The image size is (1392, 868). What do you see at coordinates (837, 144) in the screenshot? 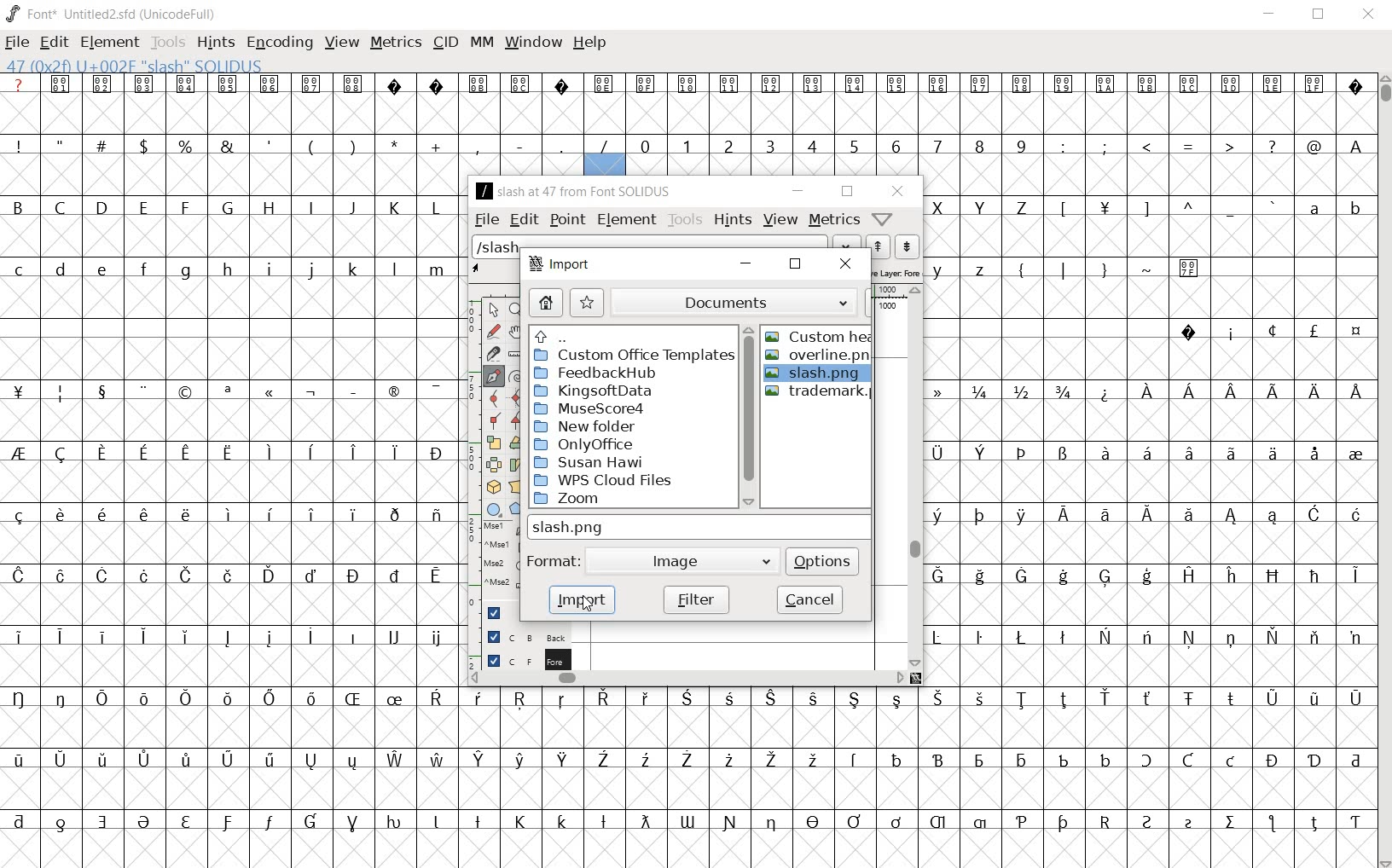
I see `numbers 0 -9 ` at bounding box center [837, 144].